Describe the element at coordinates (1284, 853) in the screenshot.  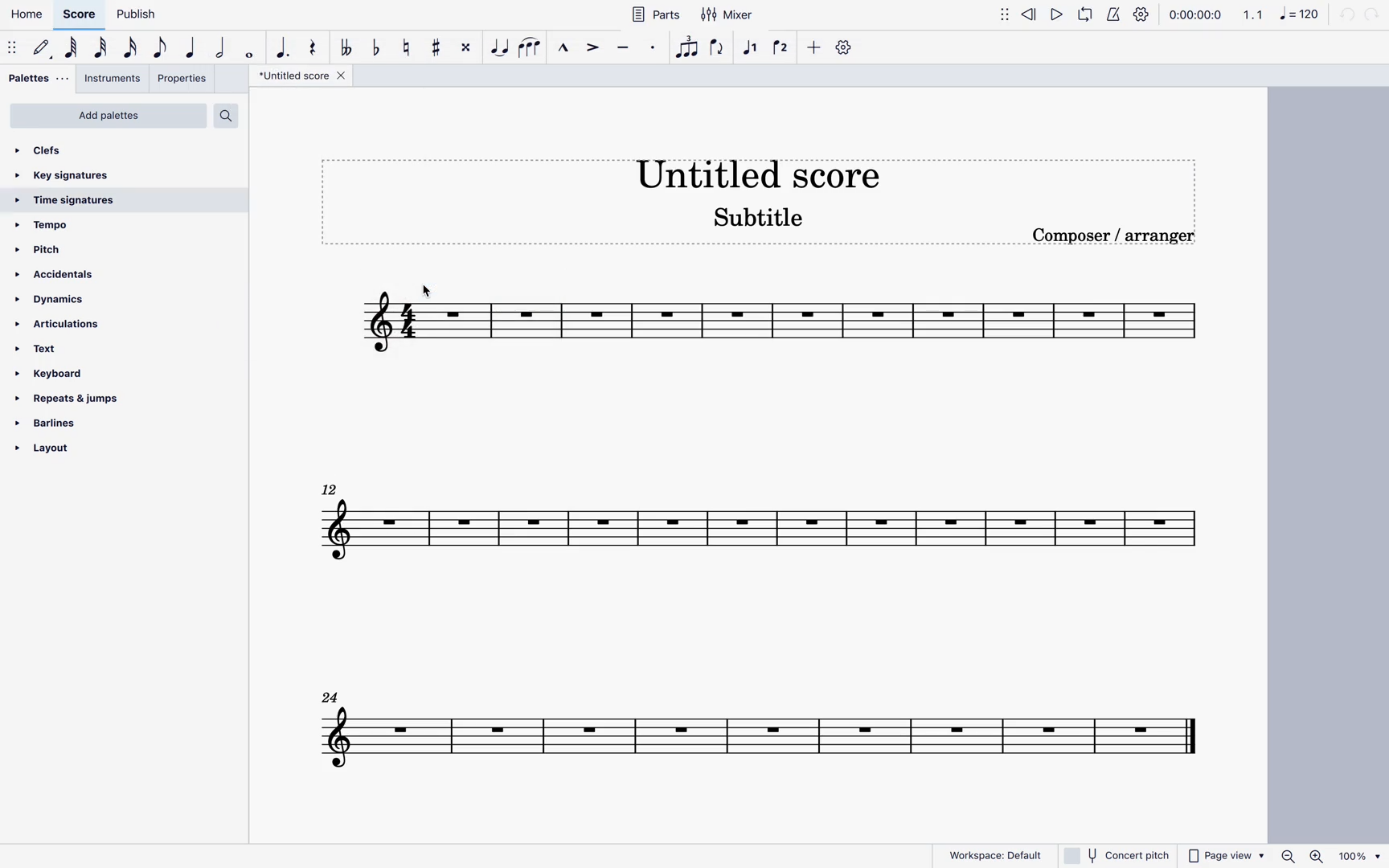
I see `zoom out` at that location.